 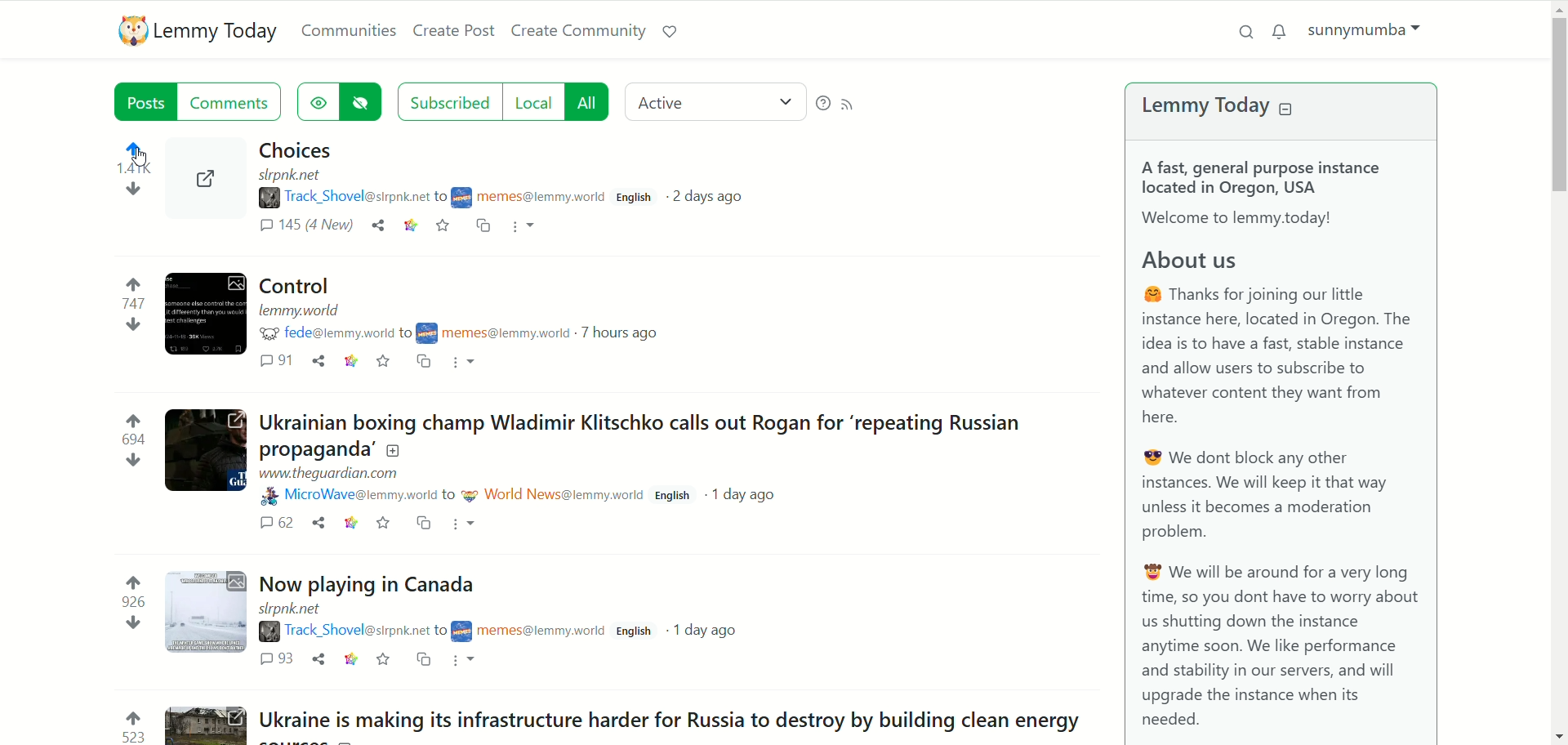 What do you see at coordinates (541, 634) in the screenshot?
I see `username` at bounding box center [541, 634].